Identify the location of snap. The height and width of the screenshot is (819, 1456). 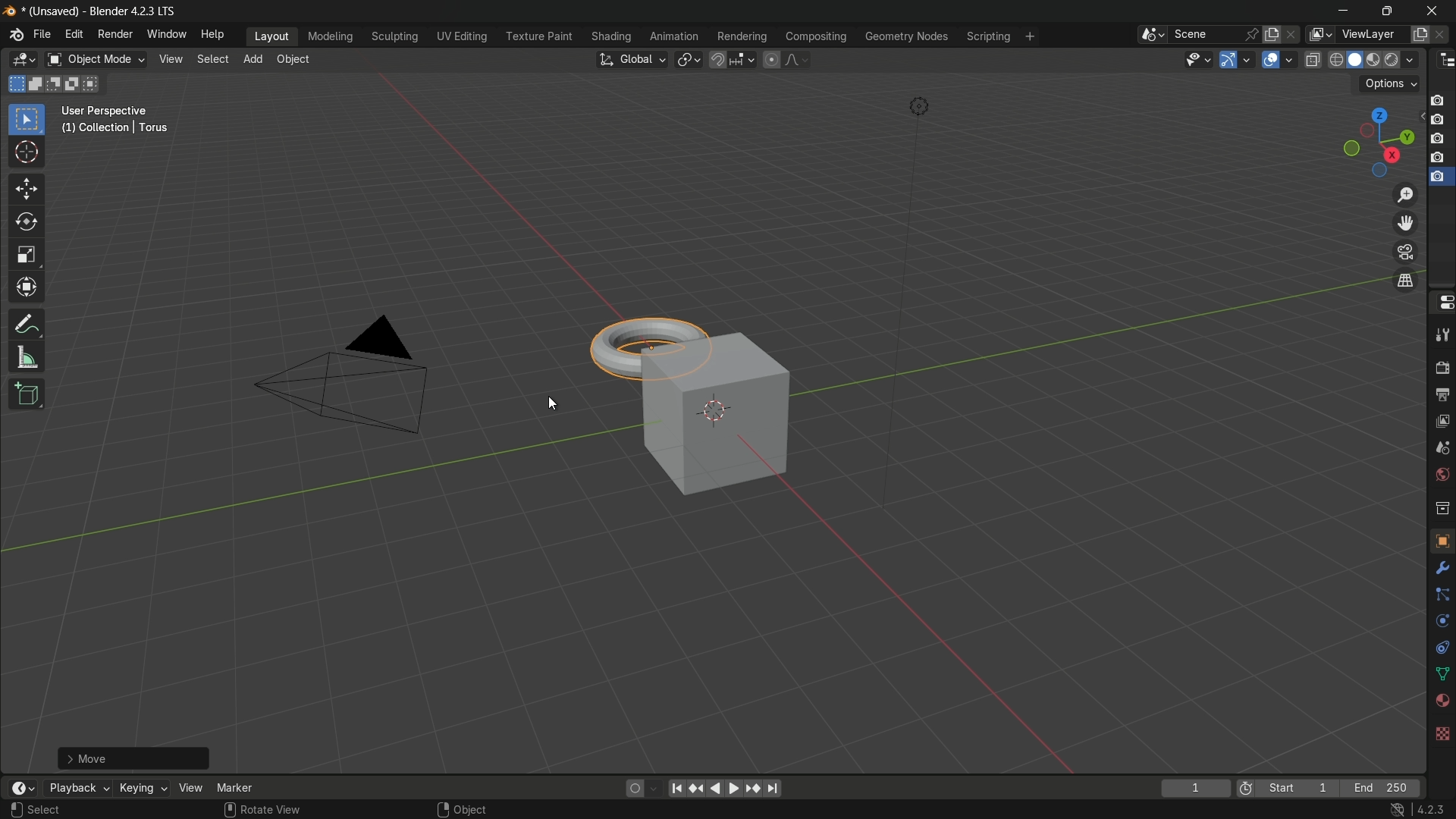
(731, 59).